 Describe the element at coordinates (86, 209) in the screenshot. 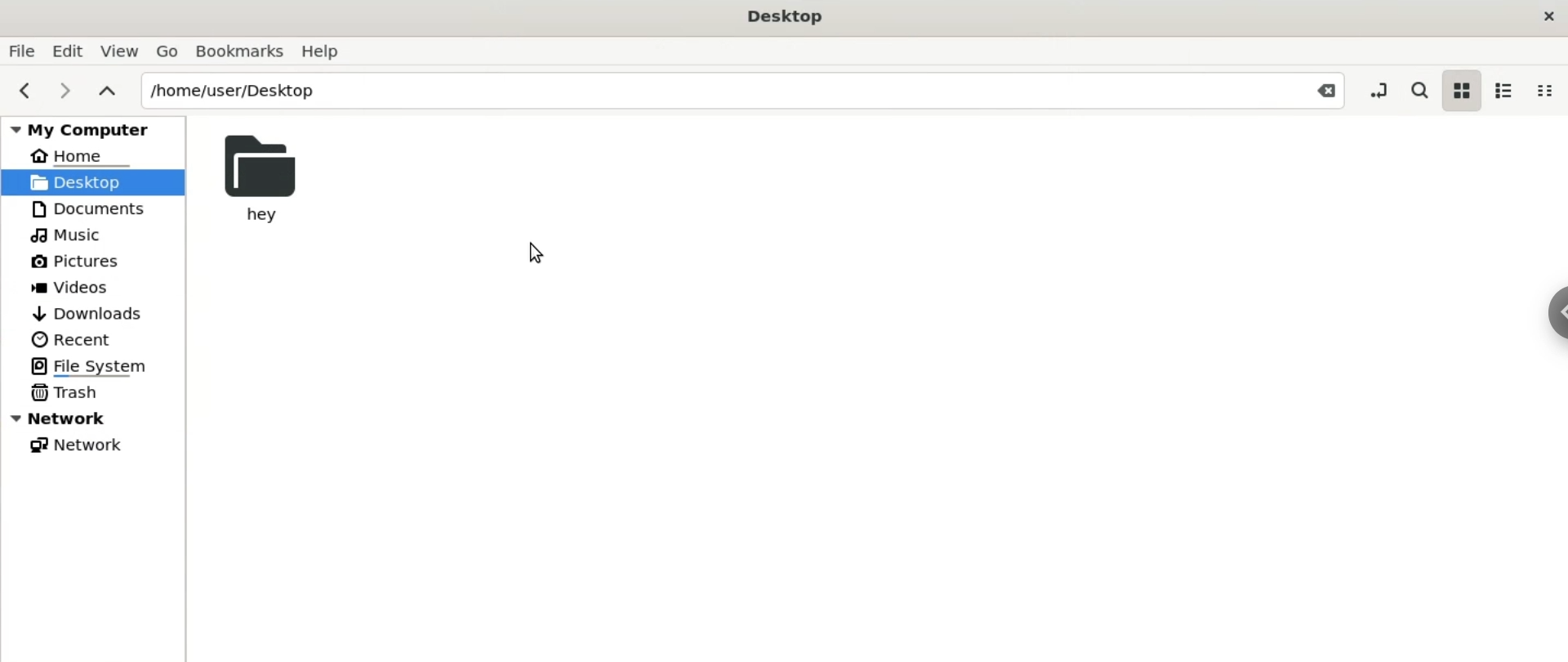

I see `documents` at that location.